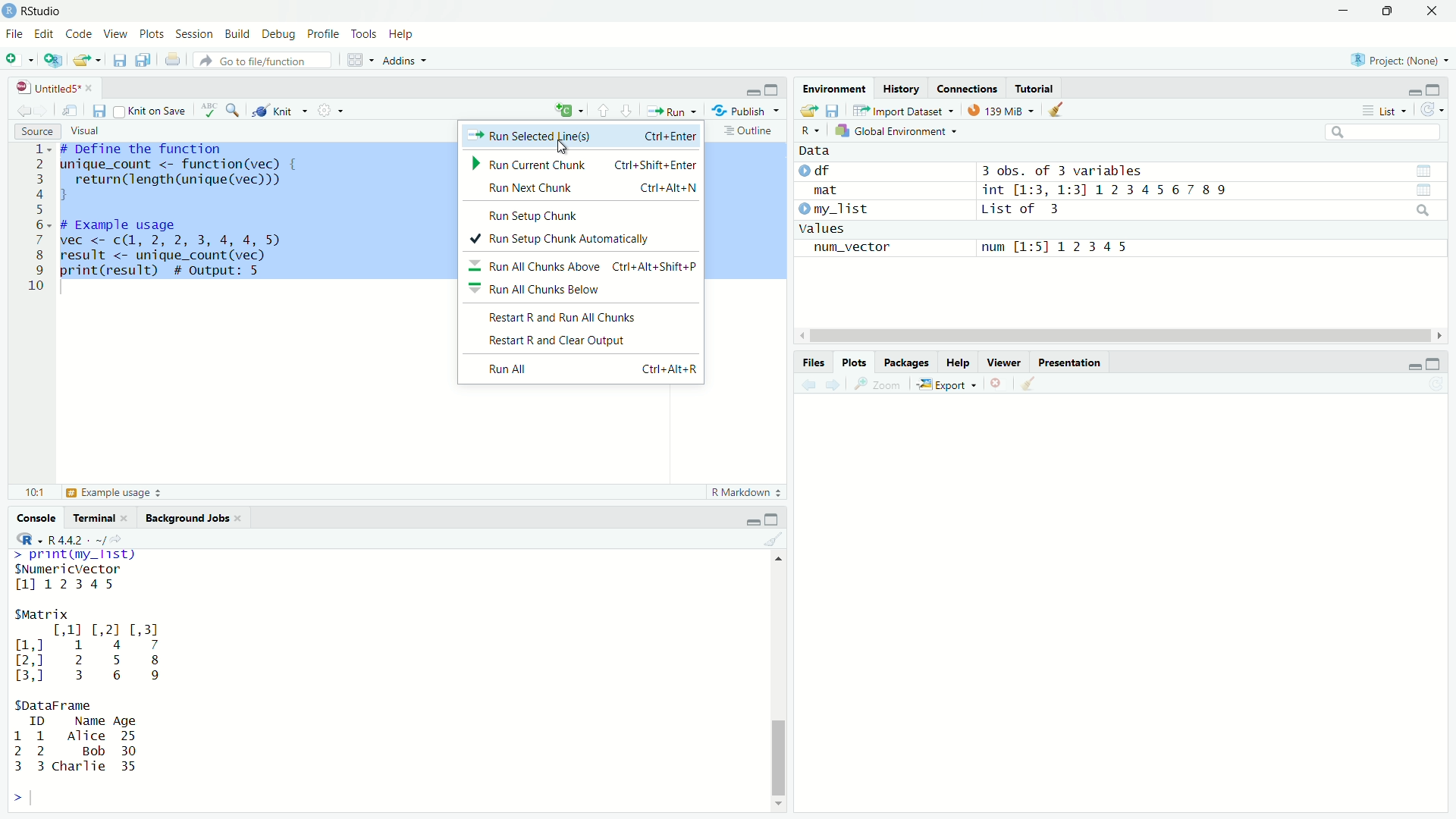  I want to click on minimize, so click(1344, 11).